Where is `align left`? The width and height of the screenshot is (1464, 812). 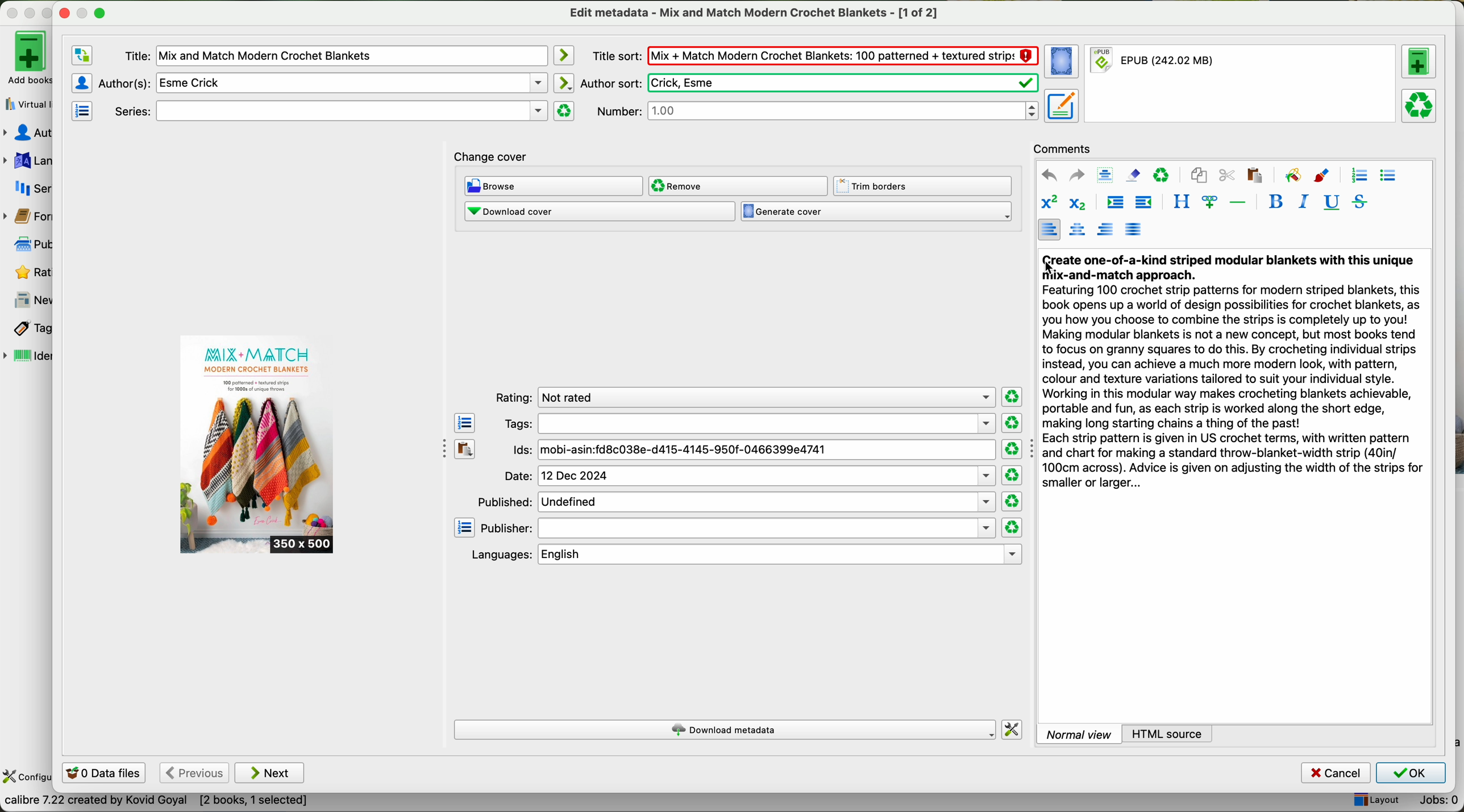
align left is located at coordinates (1049, 229).